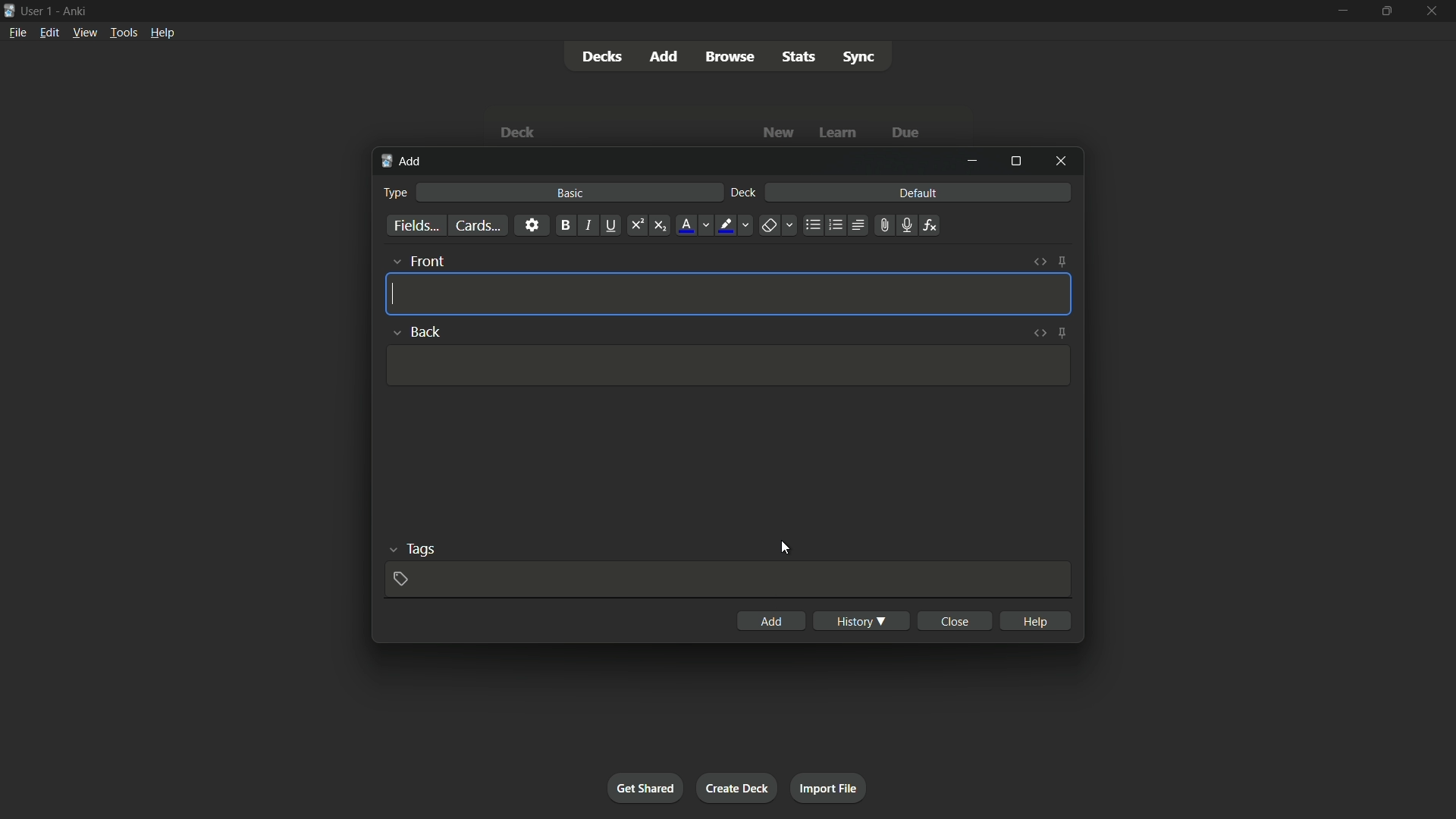  What do you see at coordinates (836, 224) in the screenshot?
I see `ordered list` at bounding box center [836, 224].